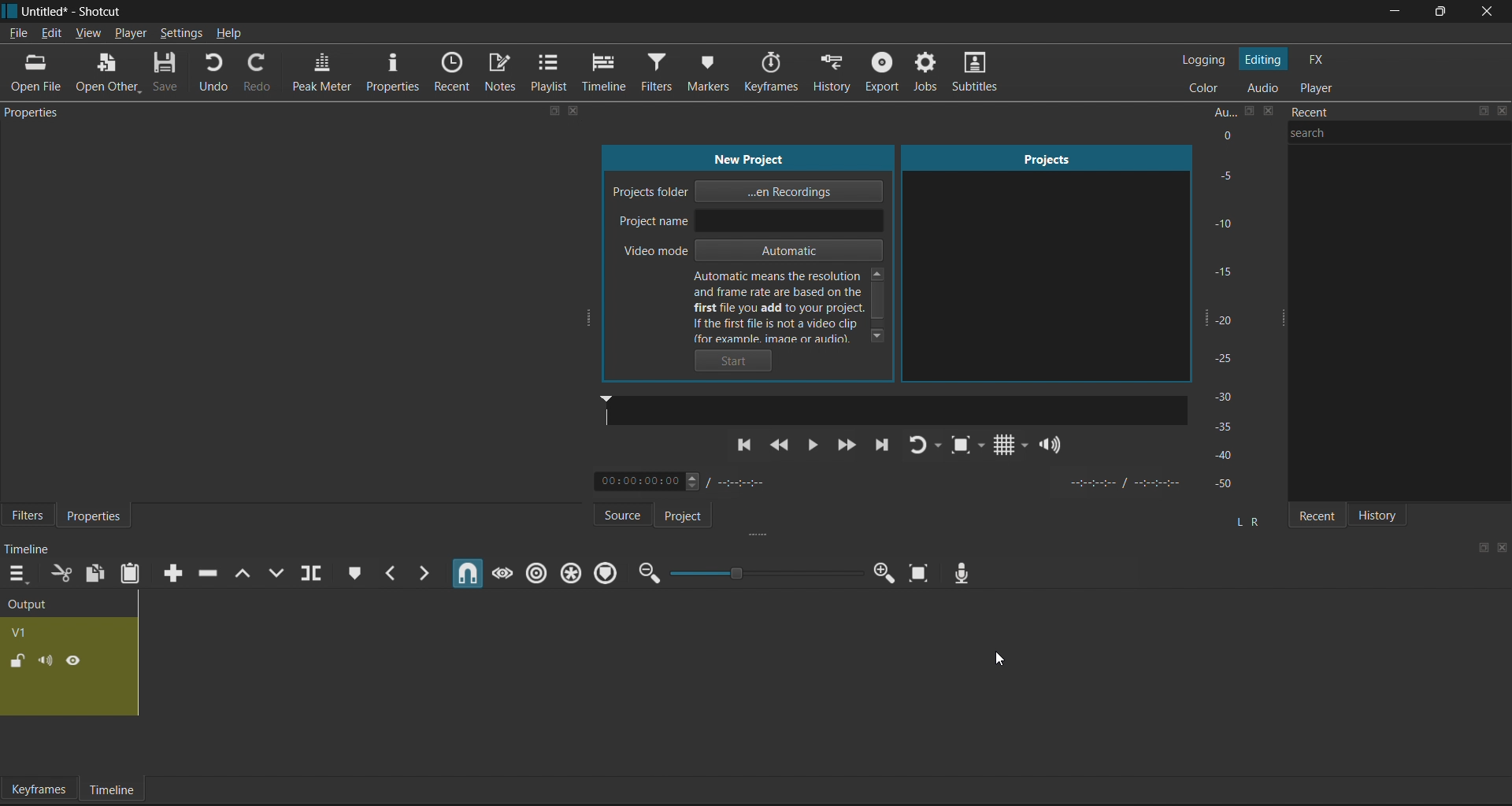  What do you see at coordinates (738, 361) in the screenshot?
I see `Start` at bounding box center [738, 361].